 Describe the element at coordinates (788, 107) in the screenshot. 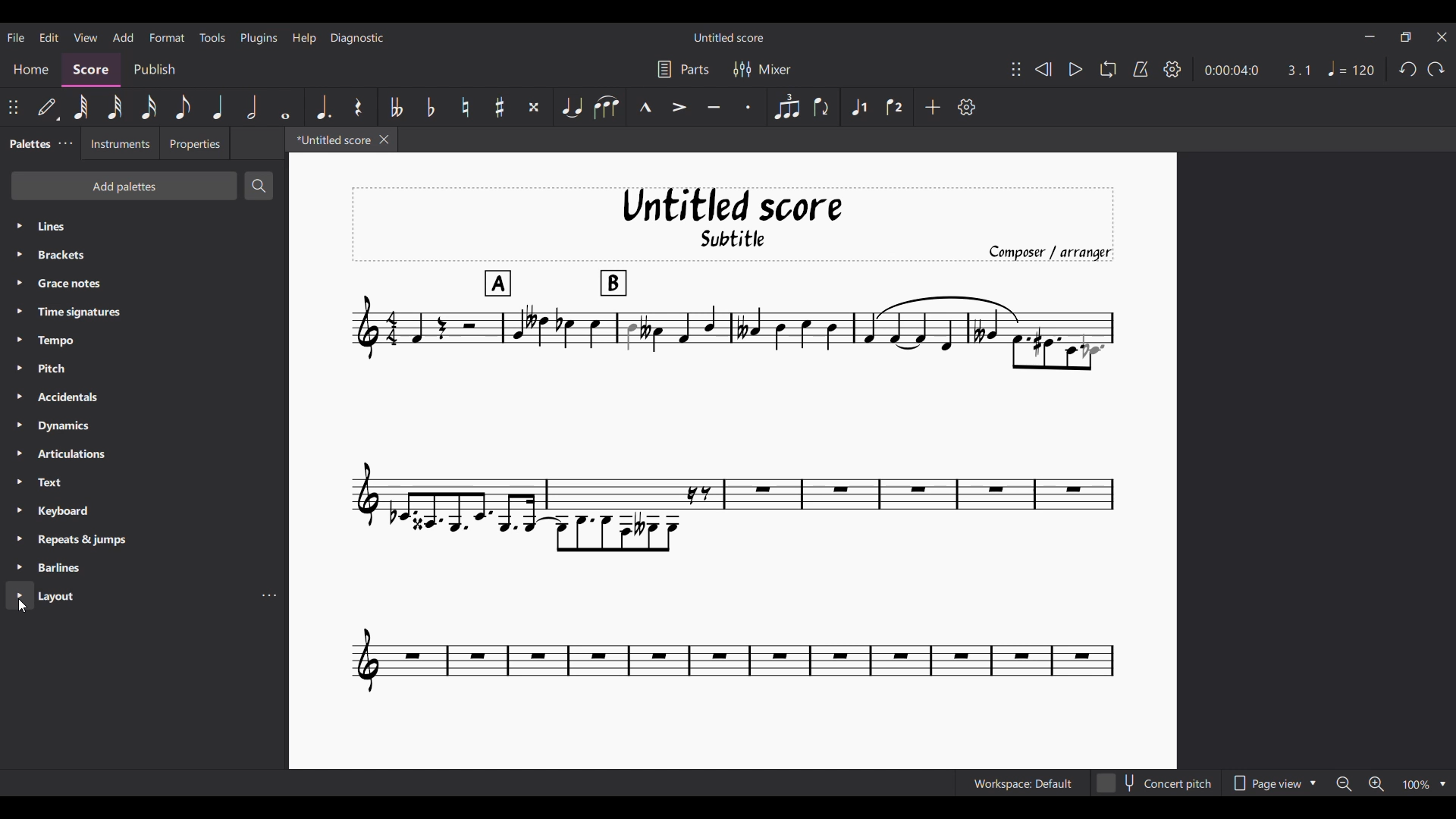

I see `Tuplet` at that location.